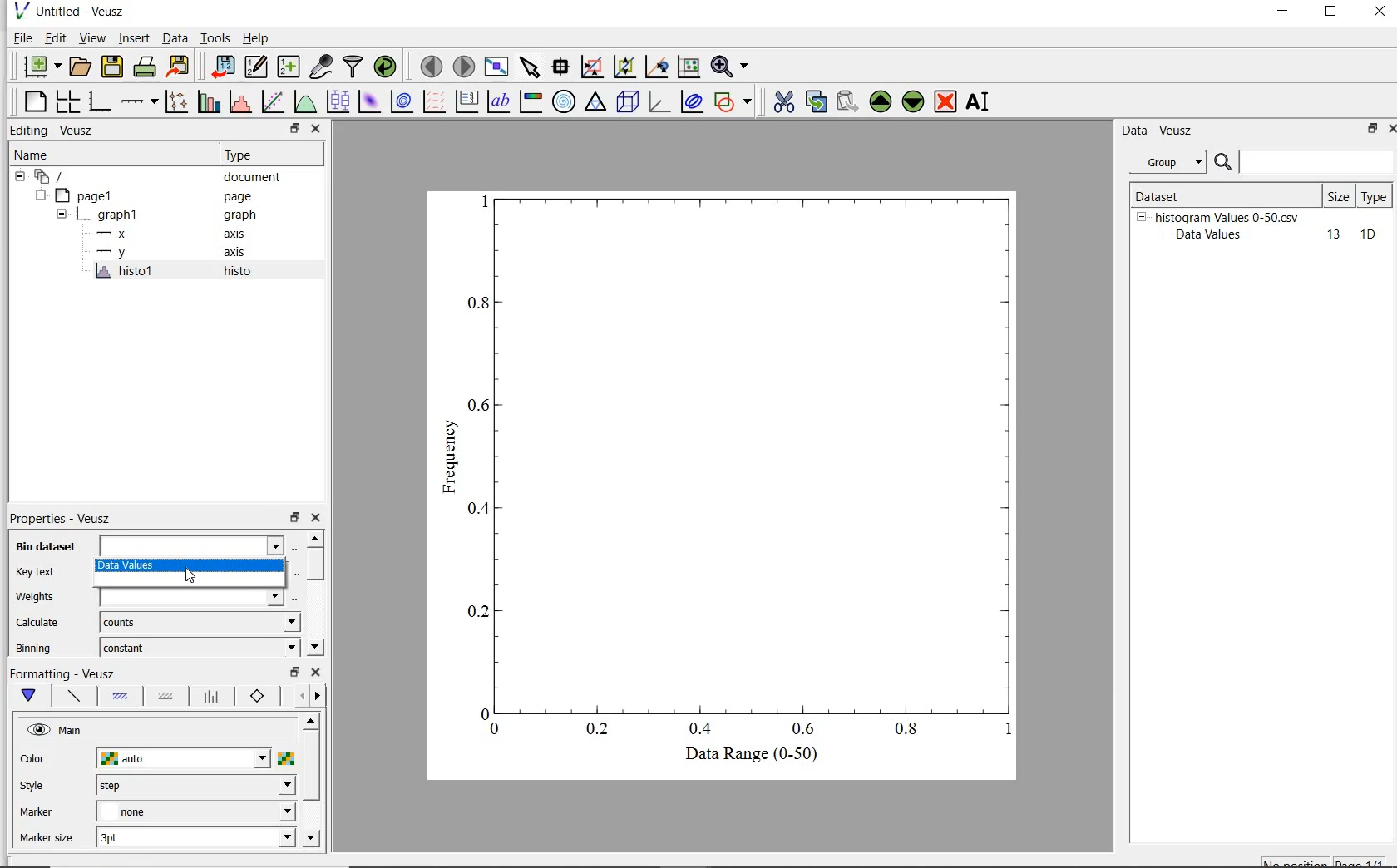  What do you see at coordinates (37, 814) in the screenshot?
I see `Marker` at bounding box center [37, 814].